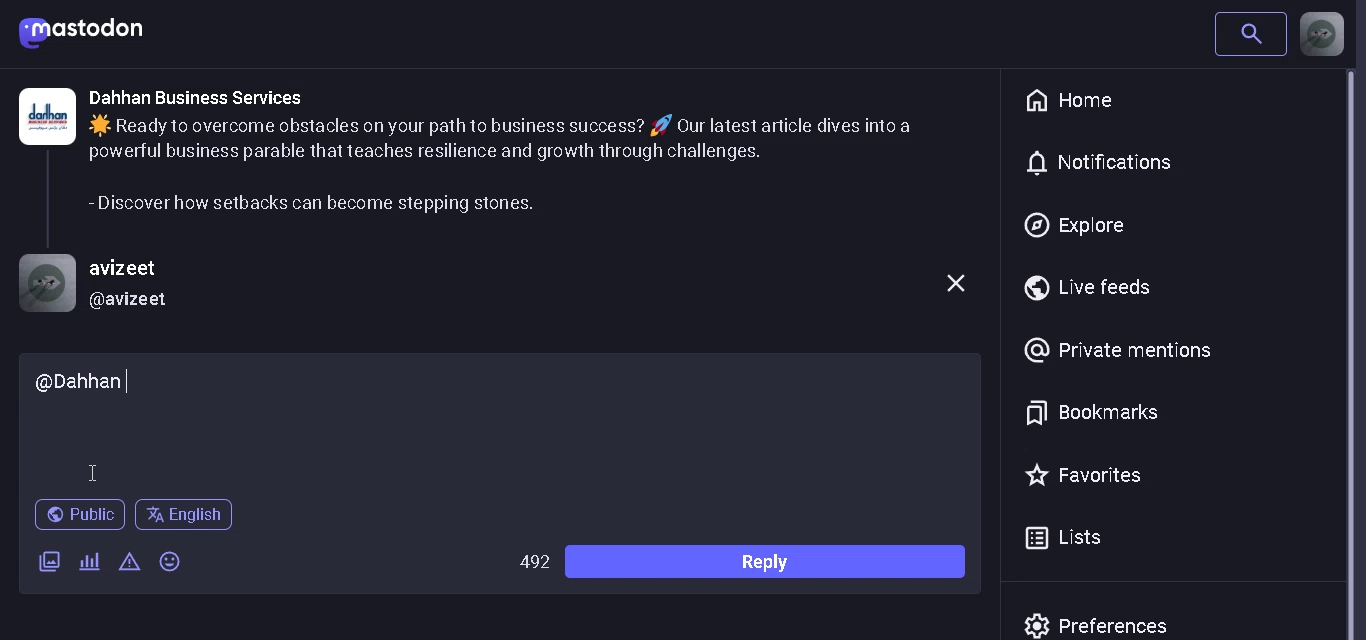 This screenshot has width=1366, height=640. I want to click on username, so click(135, 270).